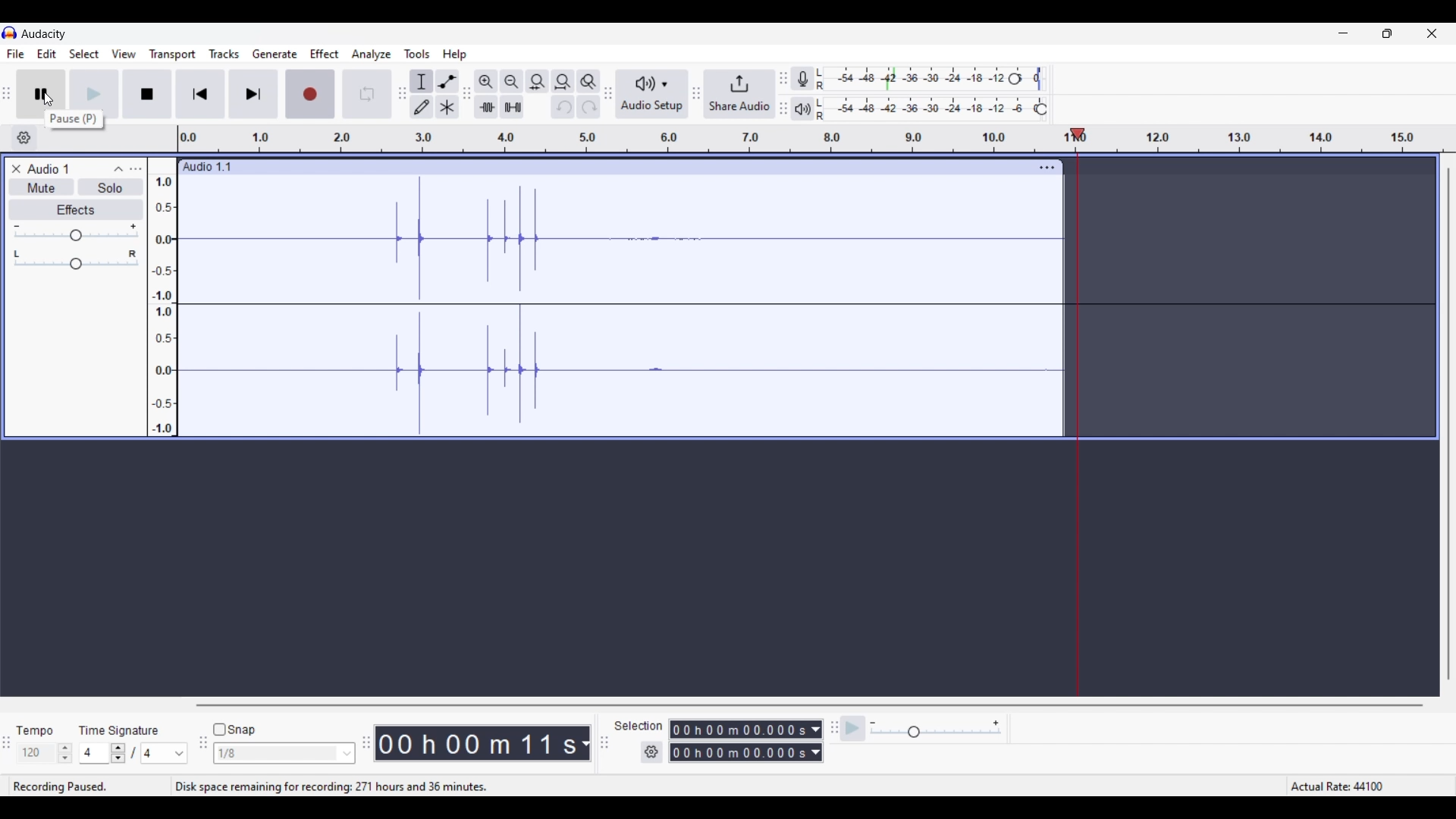  Describe the element at coordinates (936, 107) in the screenshot. I see `Playback level` at that location.